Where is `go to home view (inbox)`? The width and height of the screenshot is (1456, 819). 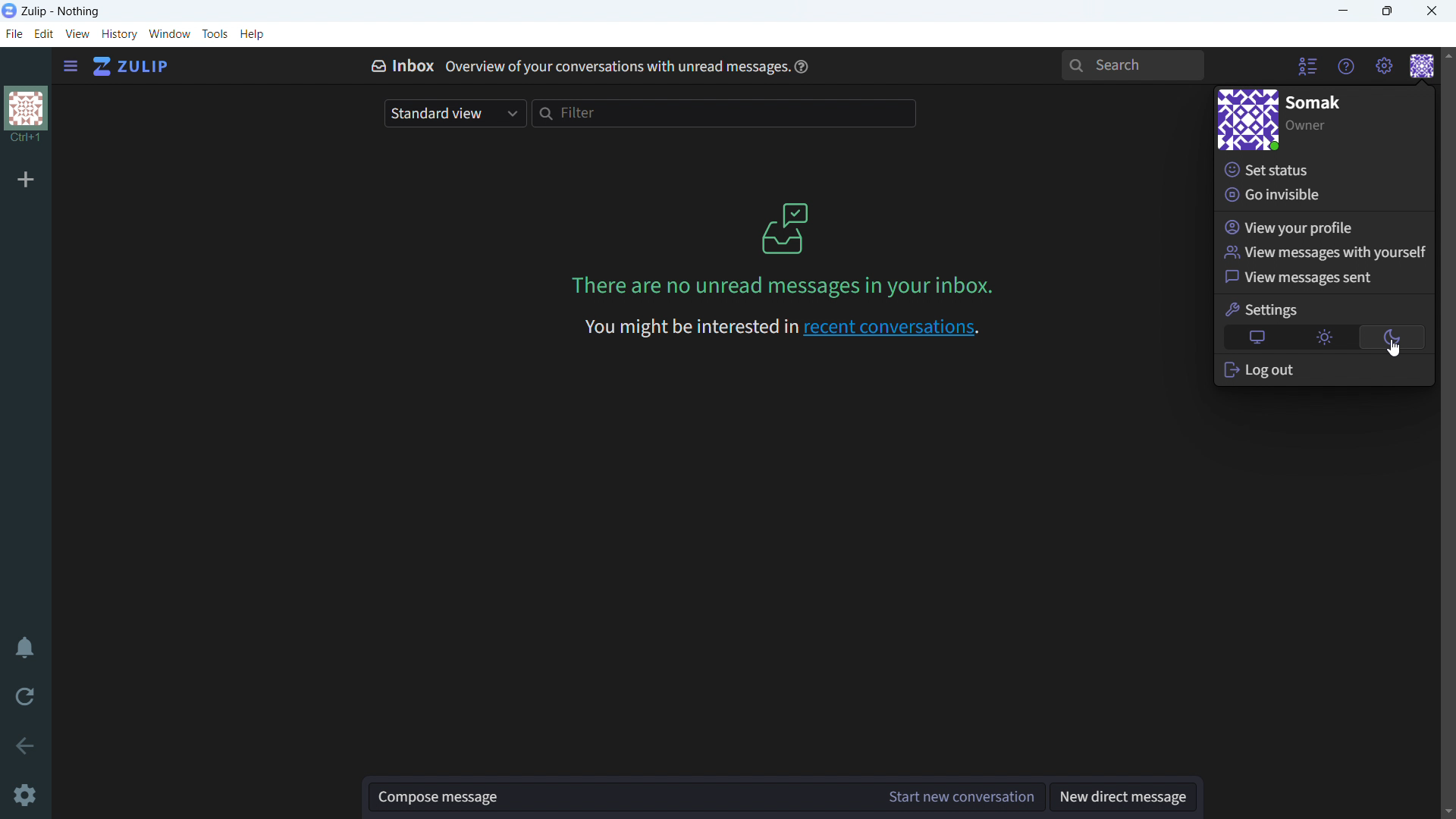 go to home view (inbox) is located at coordinates (130, 66).